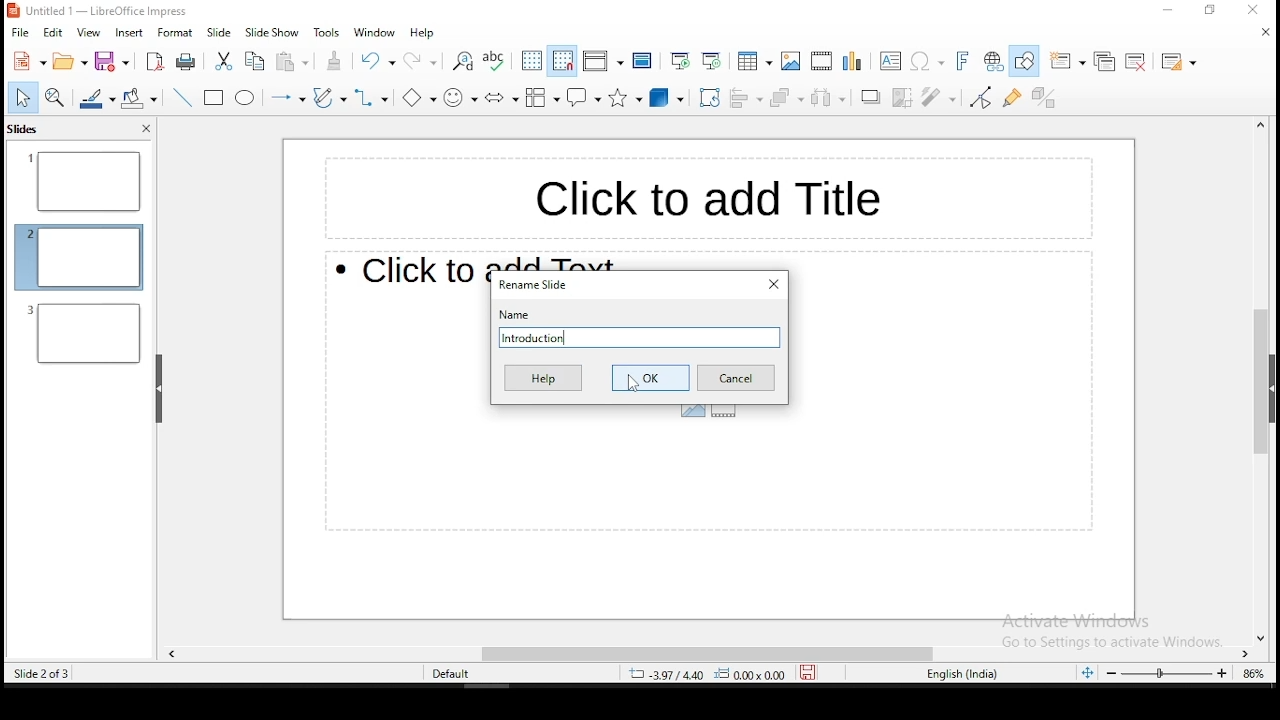 This screenshot has width=1280, height=720. I want to click on snap to grid, so click(560, 62).